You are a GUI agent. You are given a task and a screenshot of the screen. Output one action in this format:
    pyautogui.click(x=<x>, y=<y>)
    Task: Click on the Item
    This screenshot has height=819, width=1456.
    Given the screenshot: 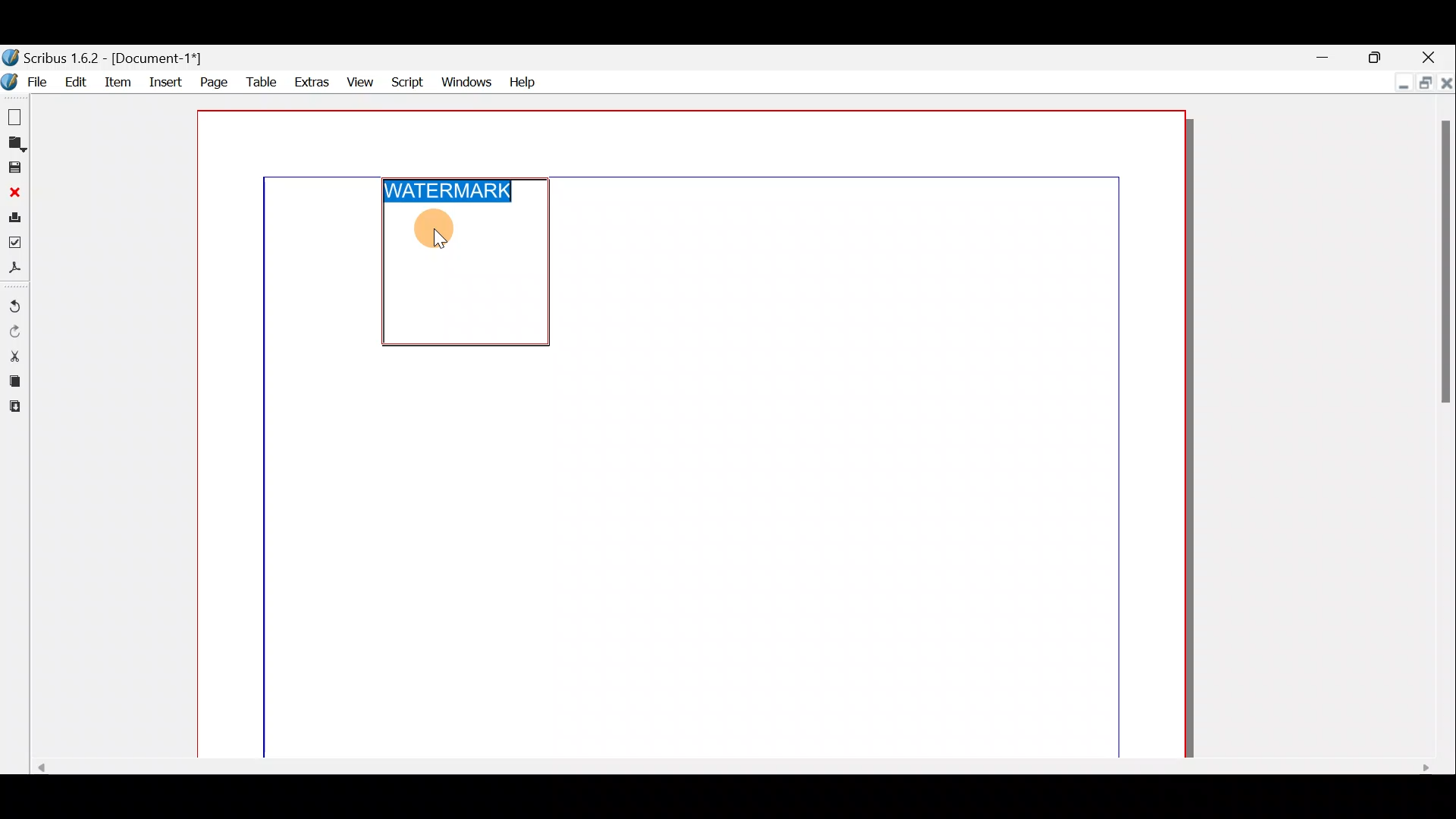 What is the action you would take?
    pyautogui.click(x=121, y=81)
    